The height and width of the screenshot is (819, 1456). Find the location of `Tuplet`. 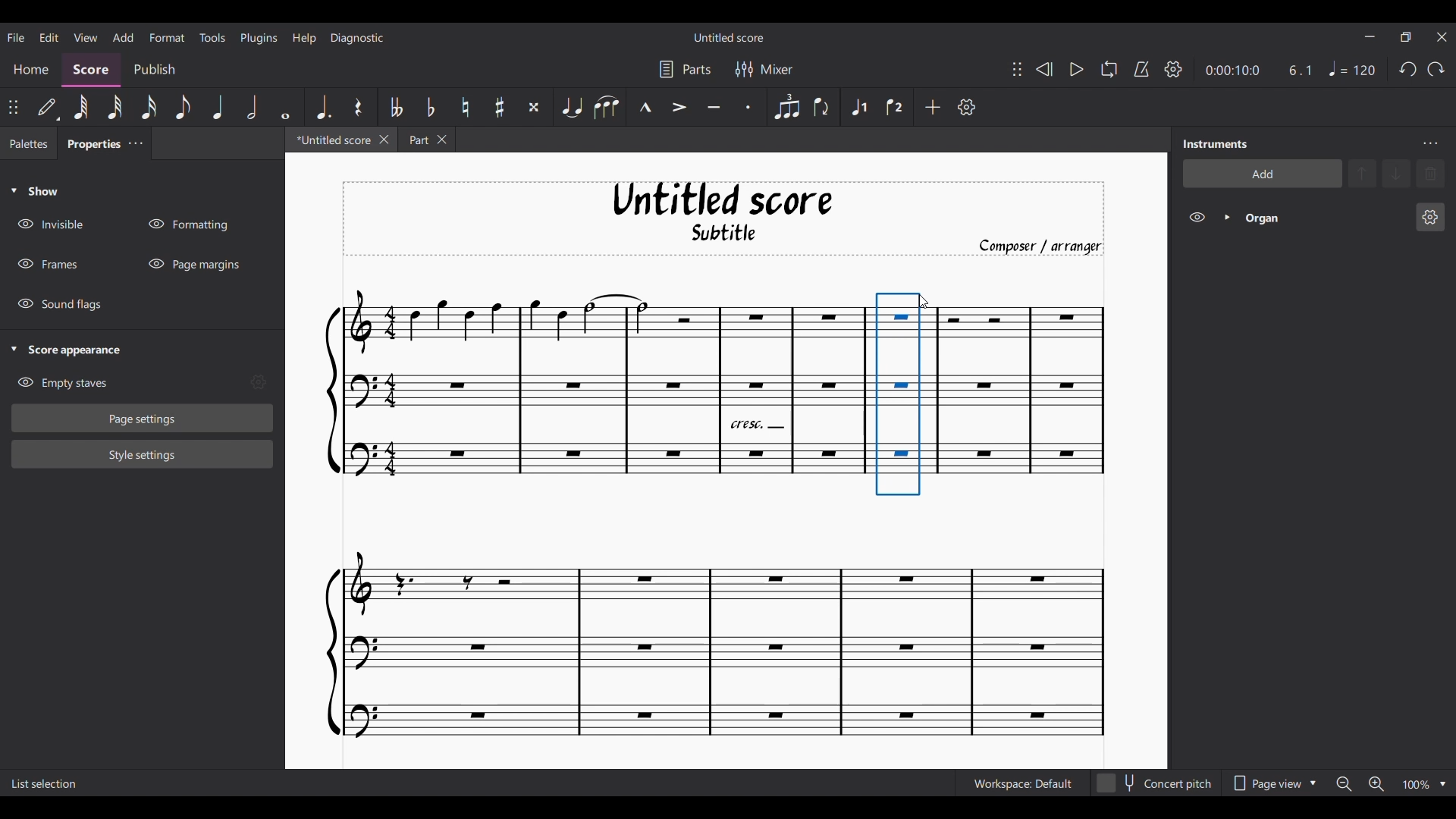

Tuplet is located at coordinates (785, 107).